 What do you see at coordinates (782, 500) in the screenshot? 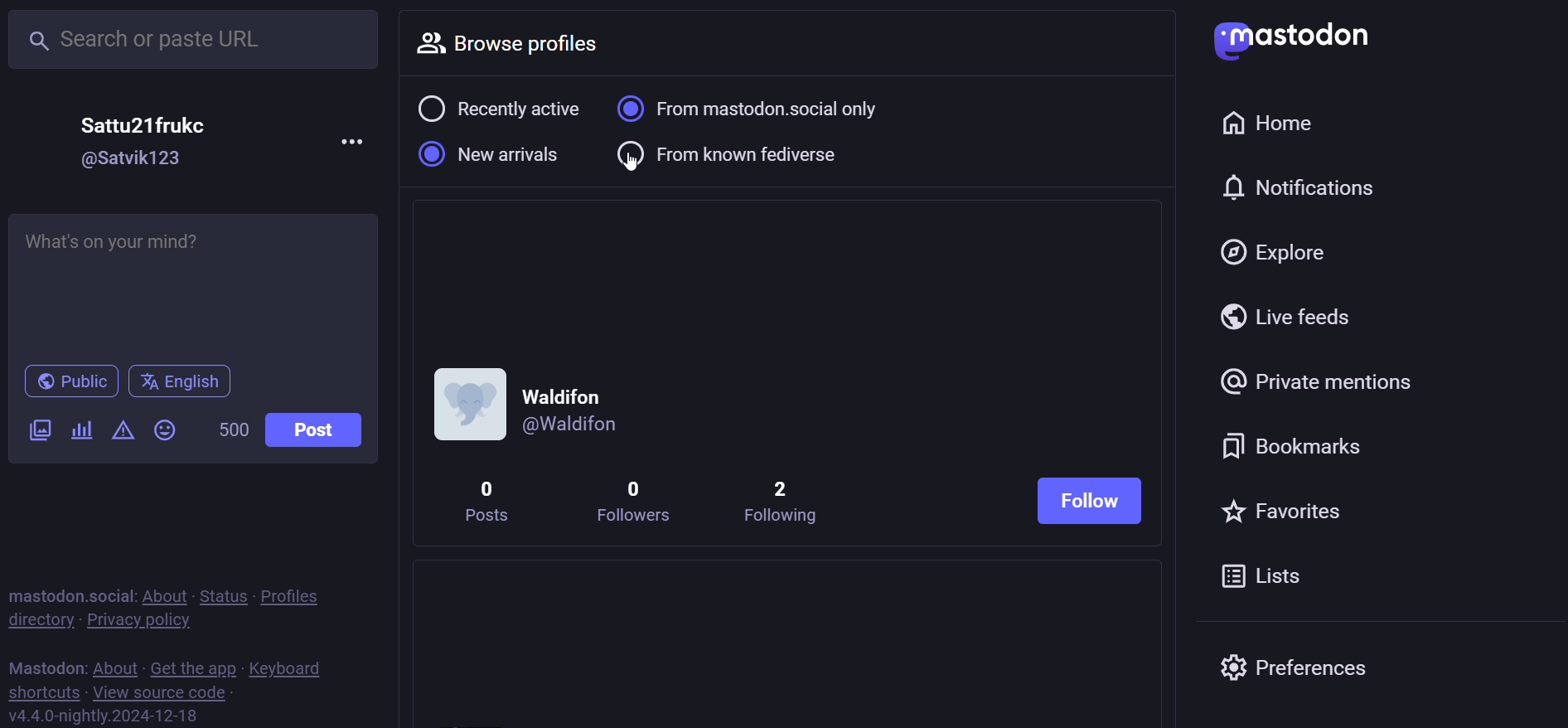
I see `2 following` at bounding box center [782, 500].